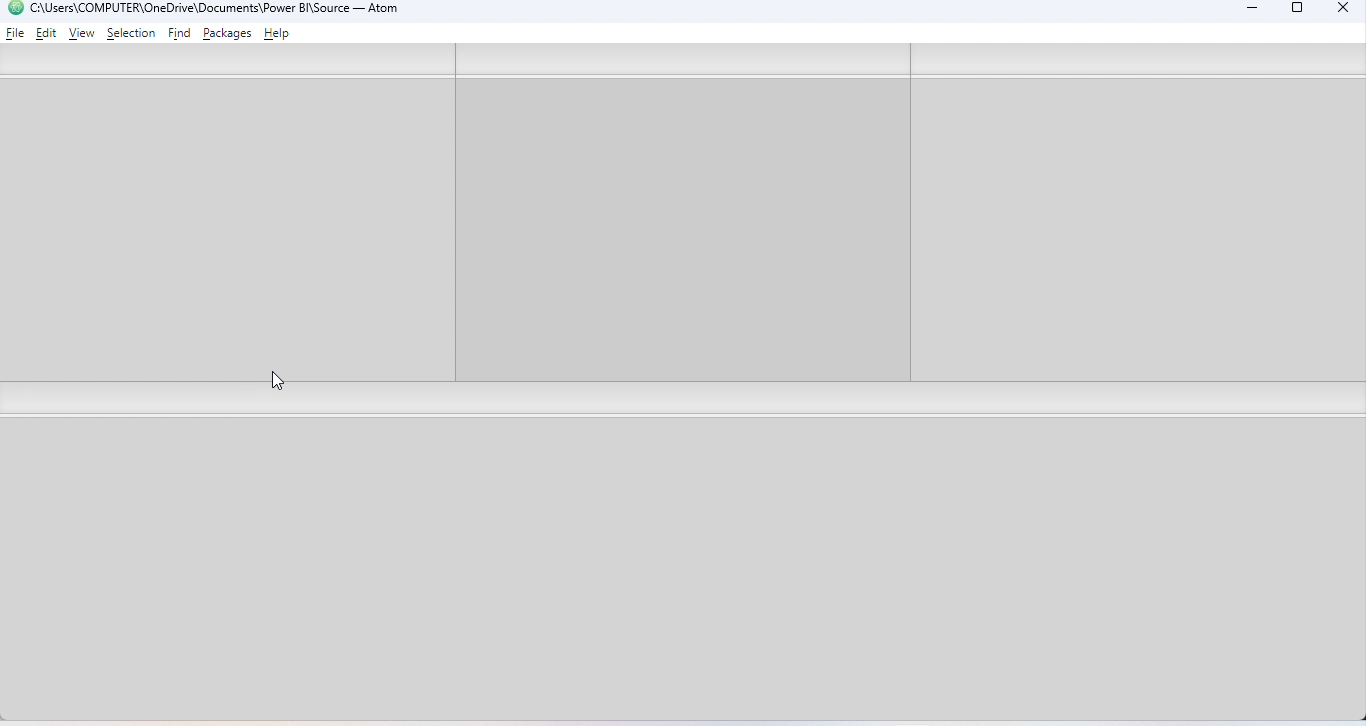 The height and width of the screenshot is (726, 1366). What do you see at coordinates (230, 33) in the screenshot?
I see `Packages` at bounding box center [230, 33].